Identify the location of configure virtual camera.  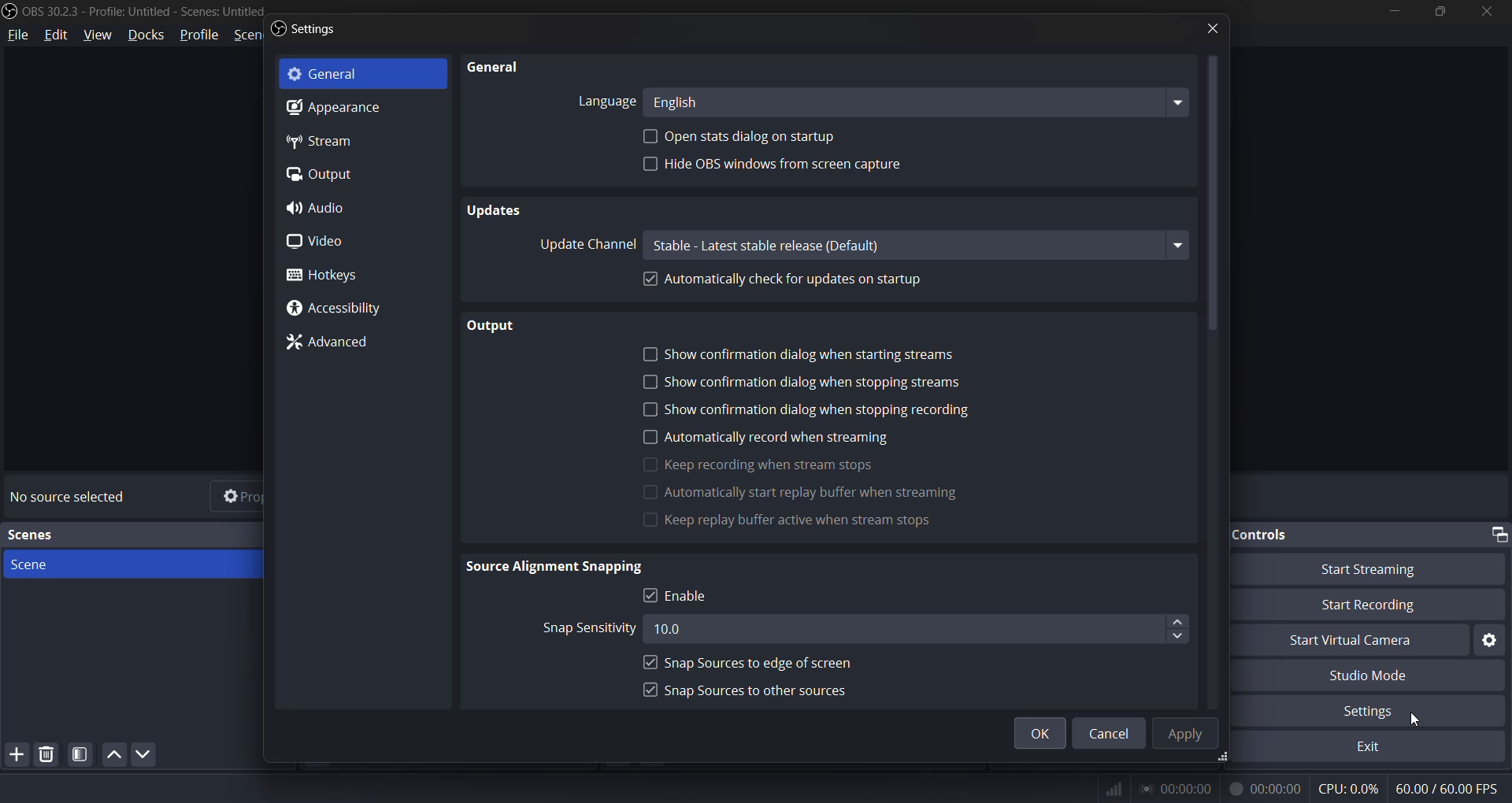
(1489, 639).